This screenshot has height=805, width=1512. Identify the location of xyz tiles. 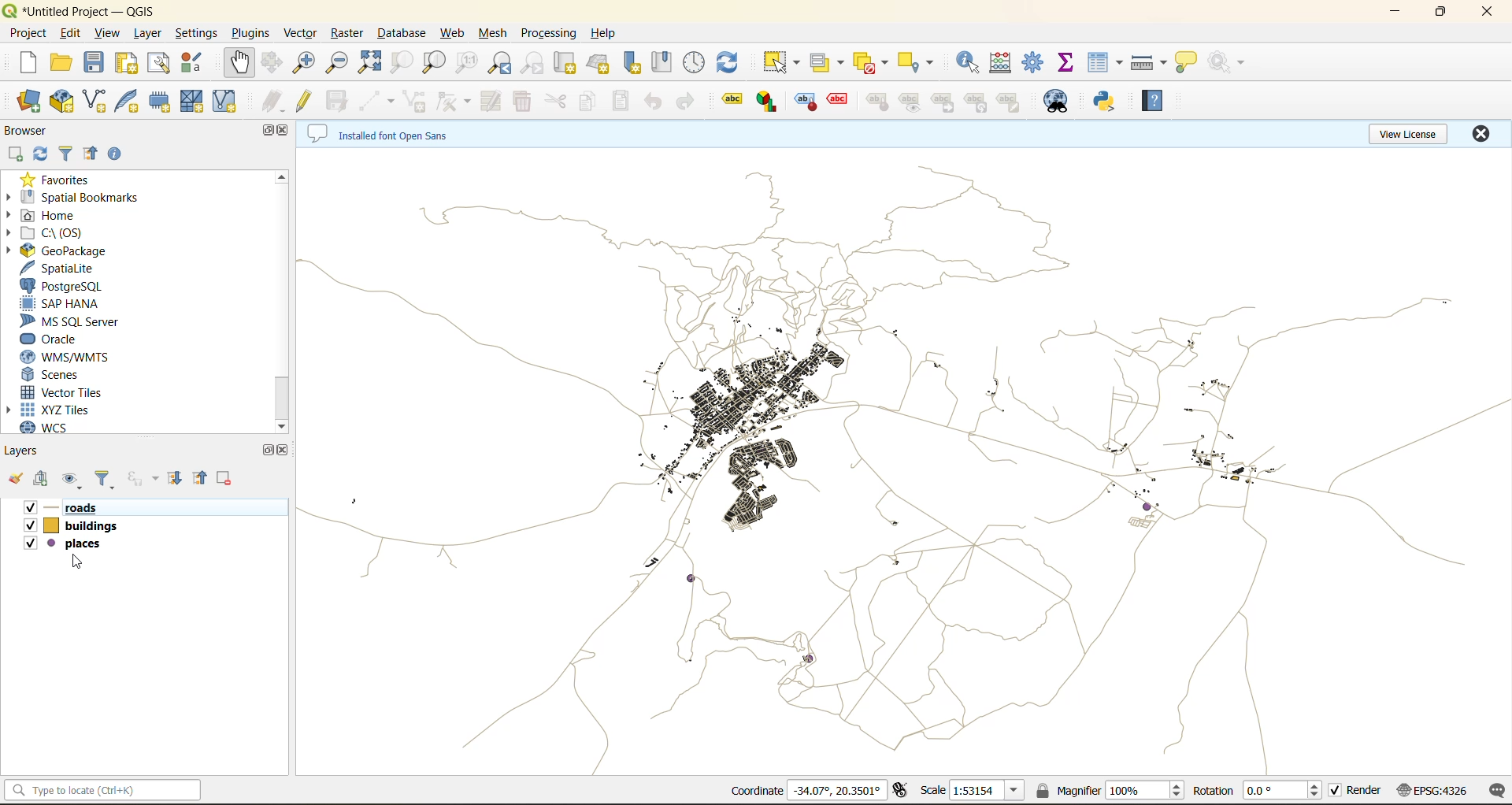
(71, 409).